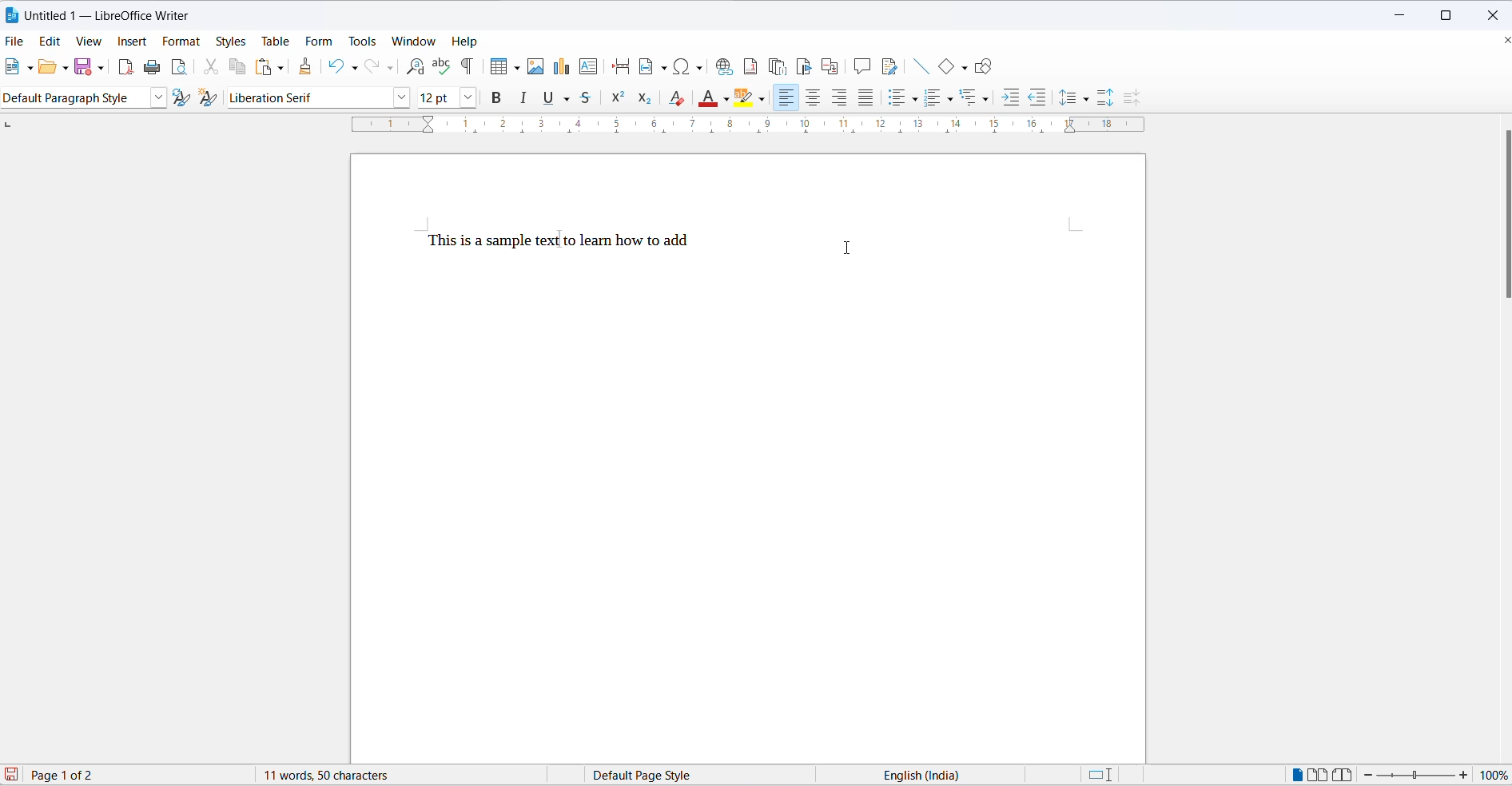 Image resolution: width=1512 pixels, height=786 pixels. I want to click on style options, so click(156, 98).